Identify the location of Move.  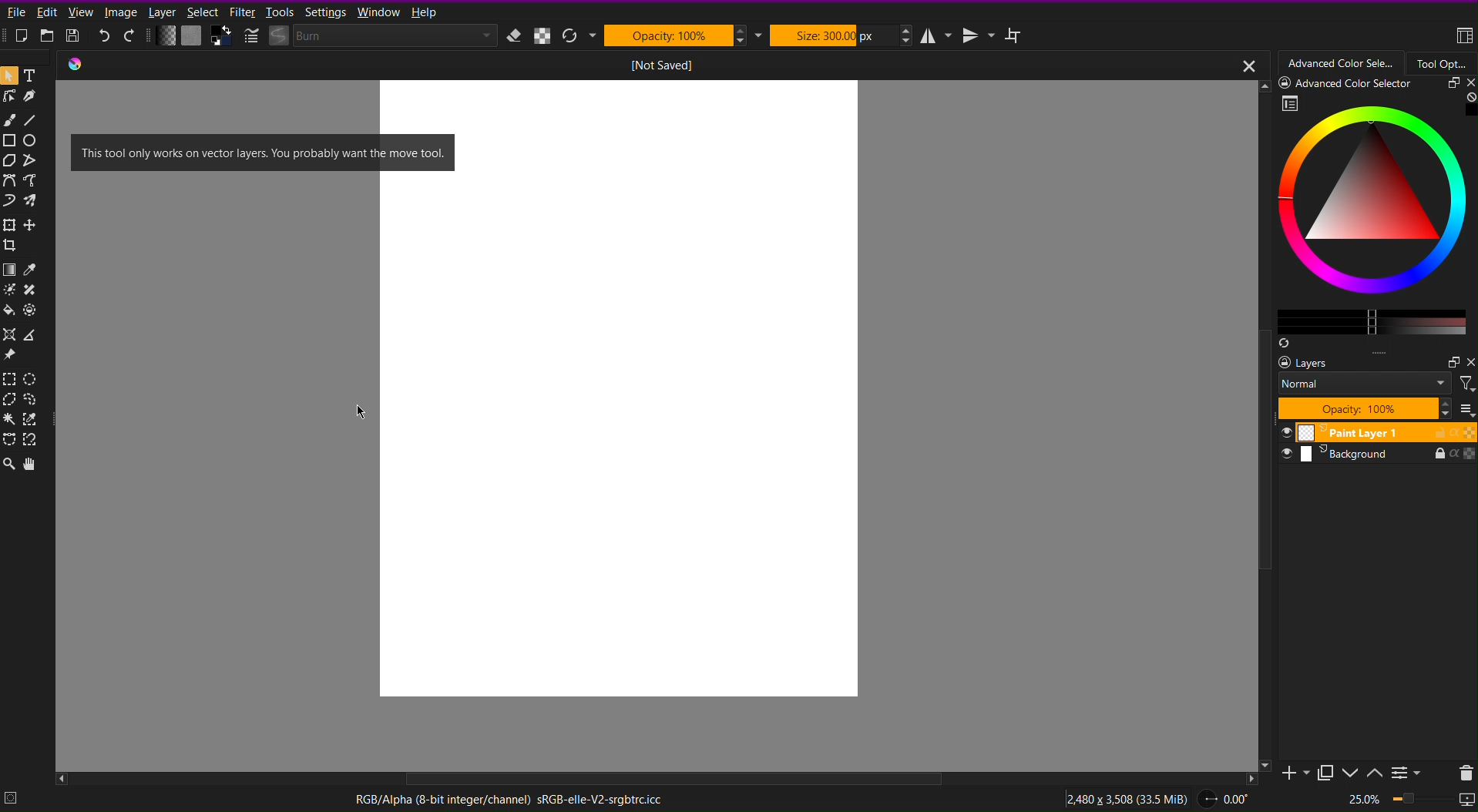
(32, 464).